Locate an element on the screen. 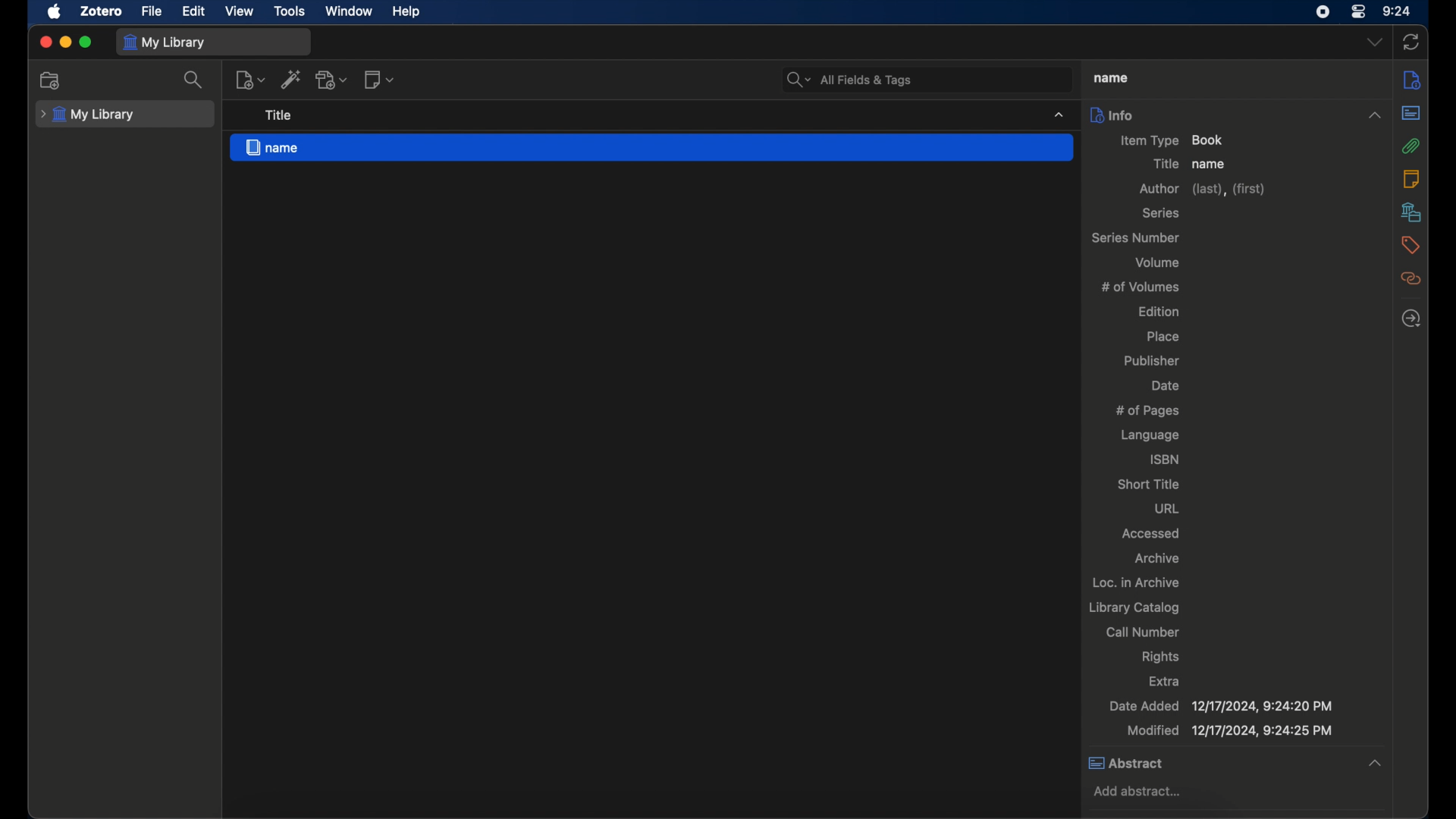  dropdown is located at coordinates (1056, 114).